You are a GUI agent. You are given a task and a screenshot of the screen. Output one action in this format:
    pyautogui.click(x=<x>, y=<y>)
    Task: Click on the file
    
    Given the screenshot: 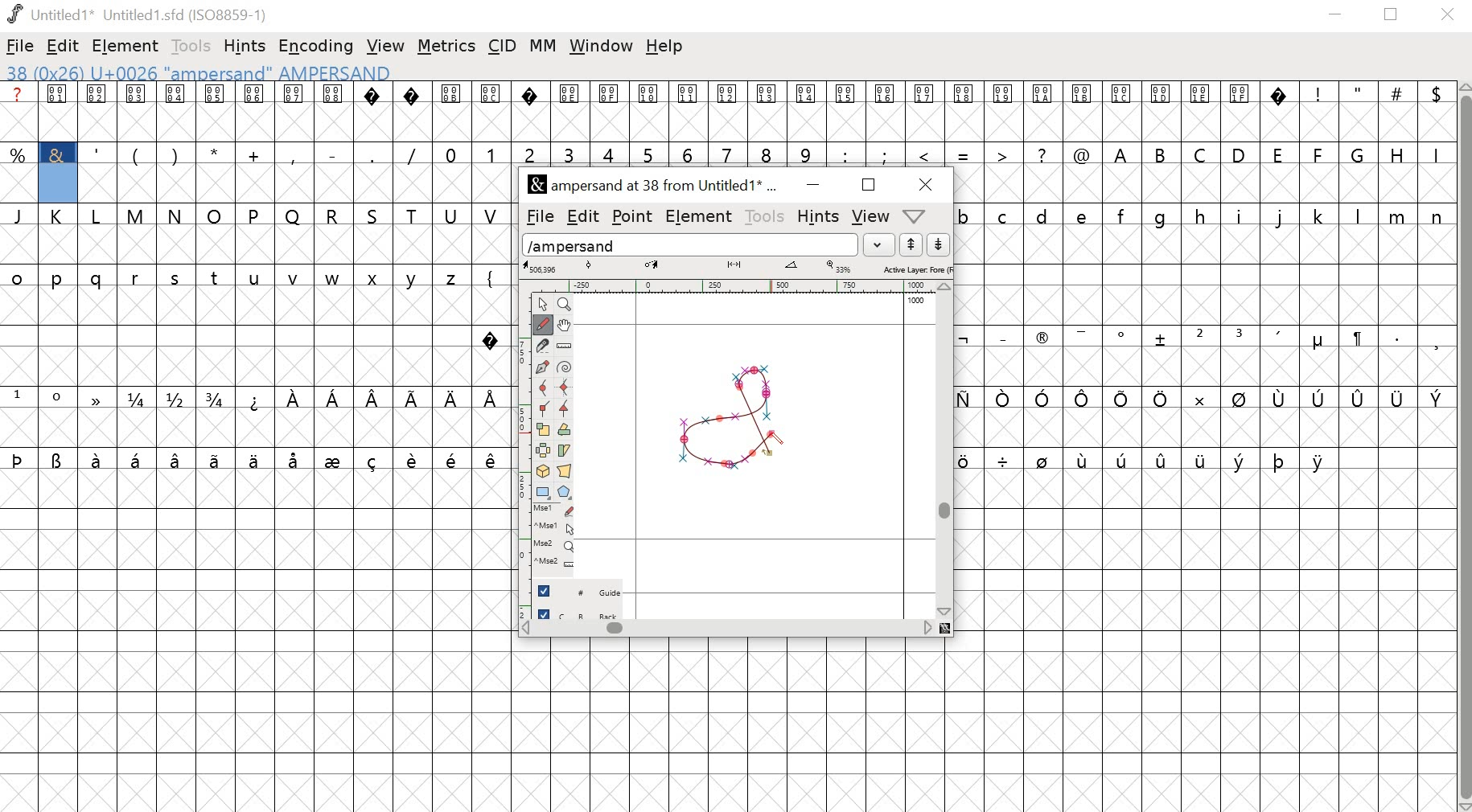 What is the action you would take?
    pyautogui.click(x=21, y=46)
    